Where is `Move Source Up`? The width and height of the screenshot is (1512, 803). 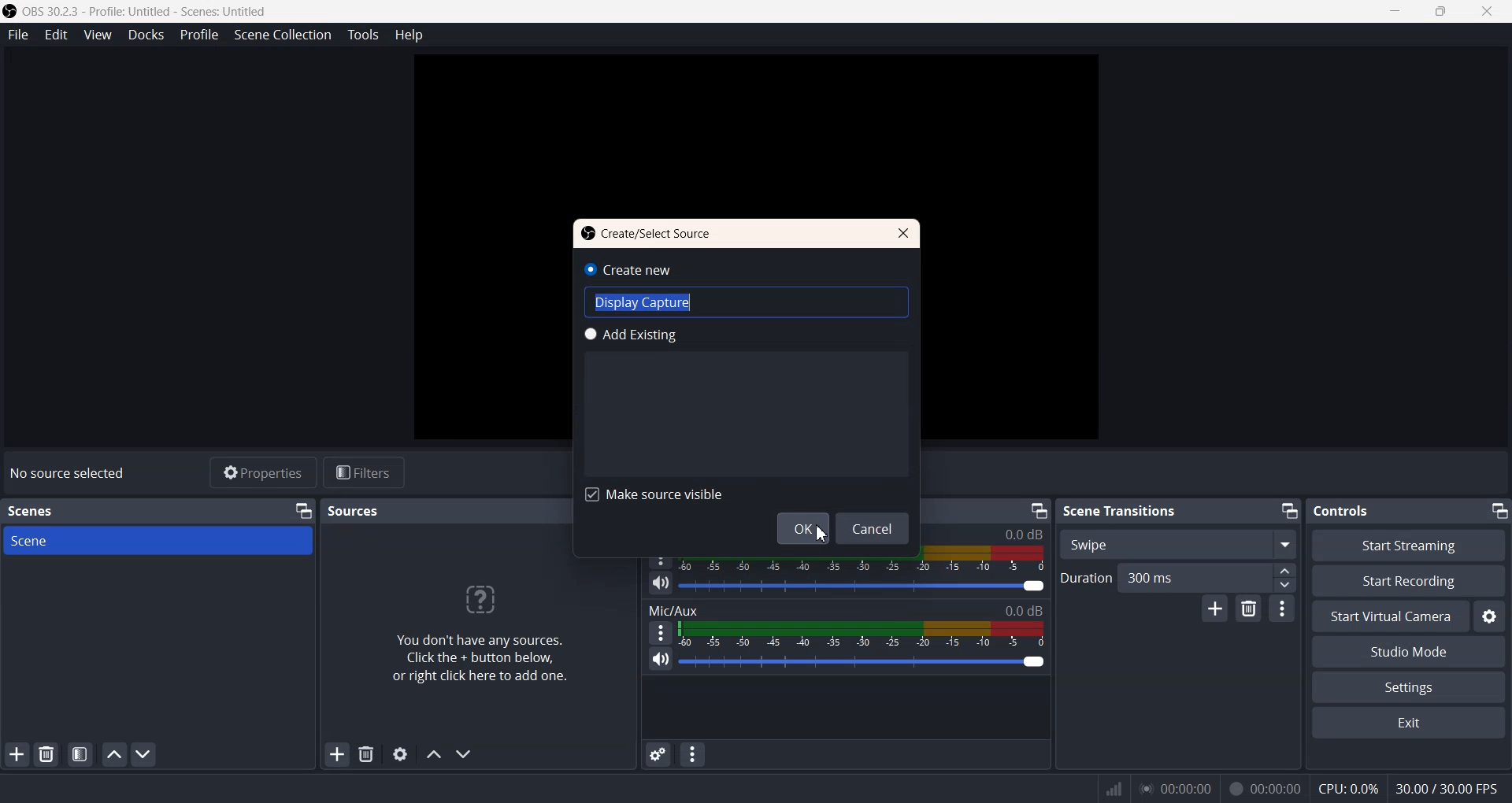 Move Source Up is located at coordinates (432, 754).